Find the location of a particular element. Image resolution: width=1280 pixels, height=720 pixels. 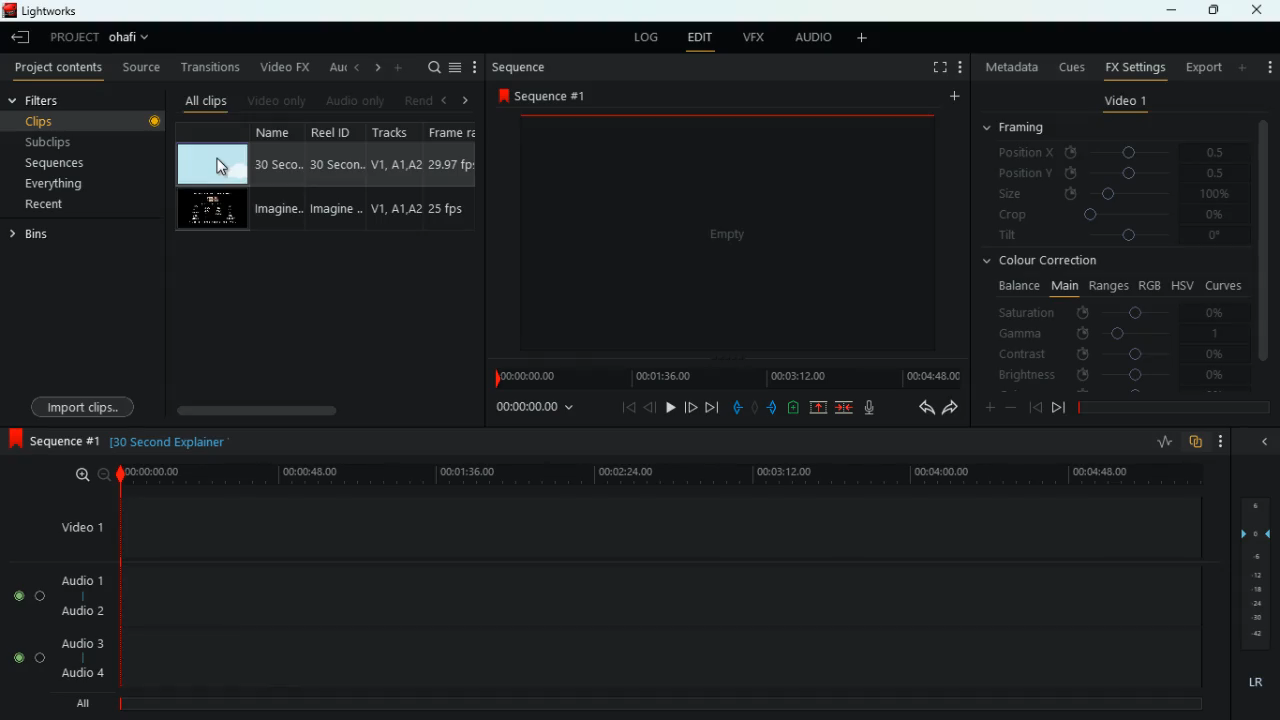

audio is located at coordinates (812, 39).